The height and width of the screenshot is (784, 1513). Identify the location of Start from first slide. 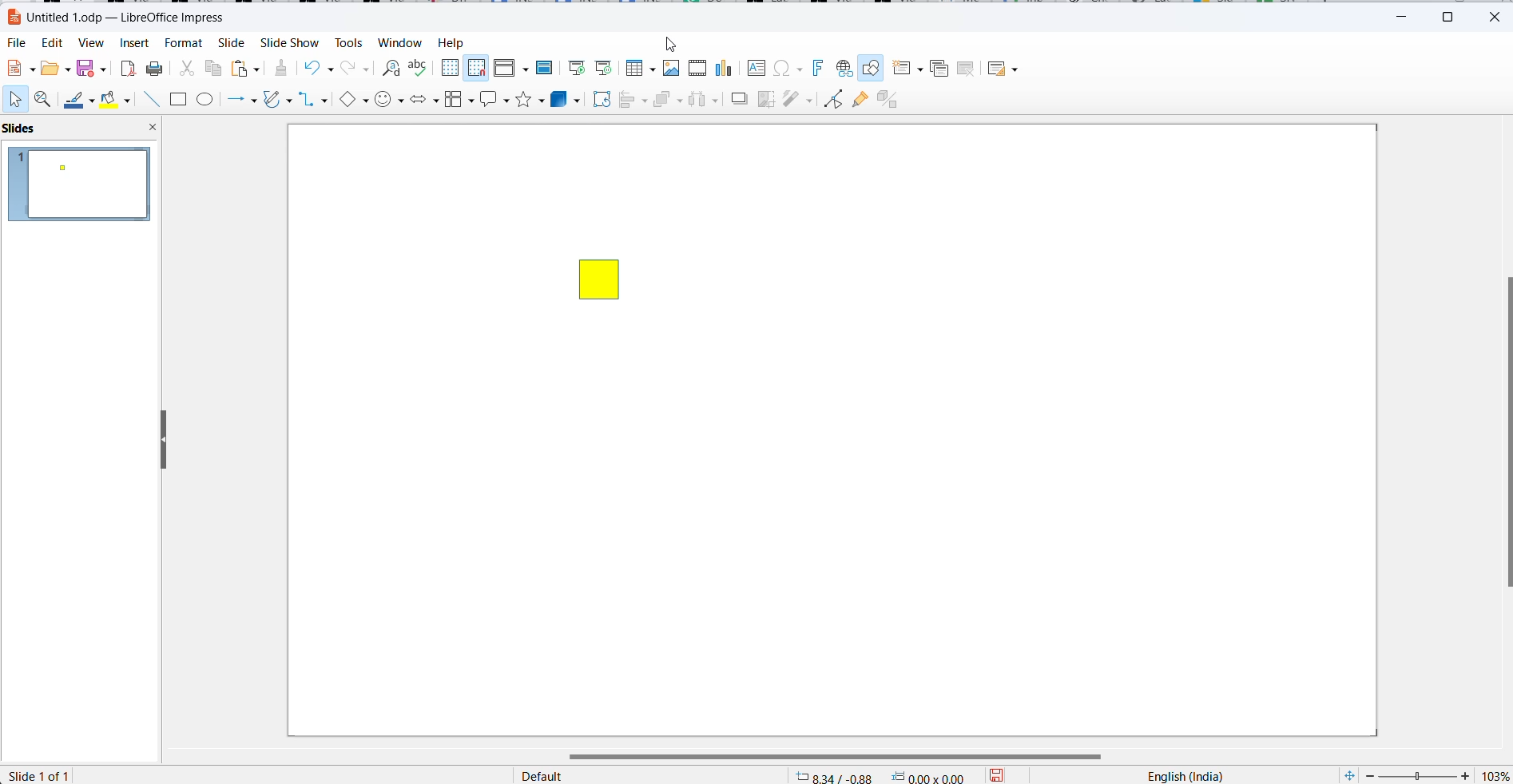
(578, 66).